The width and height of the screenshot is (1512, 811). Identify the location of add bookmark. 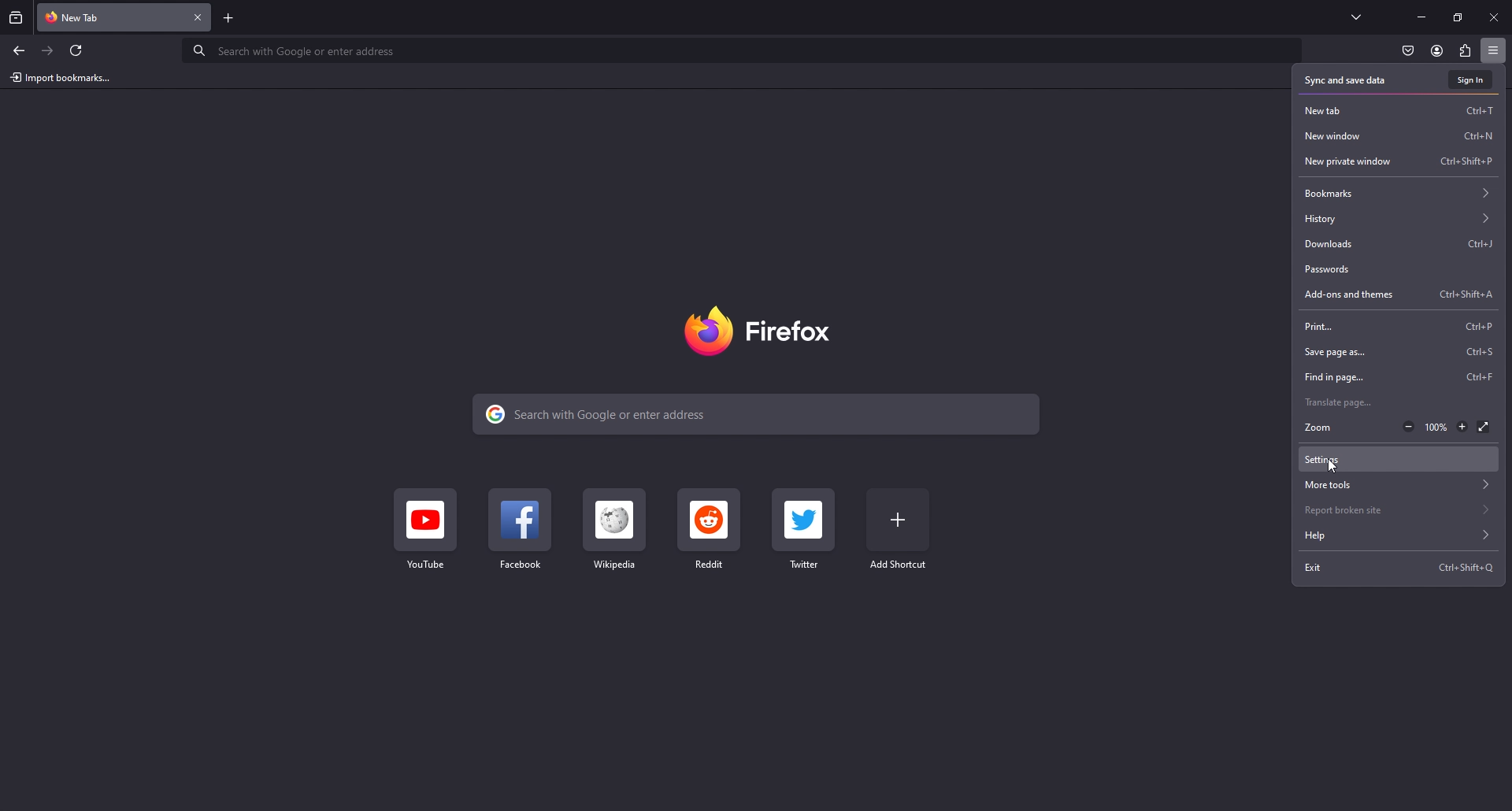
(899, 529).